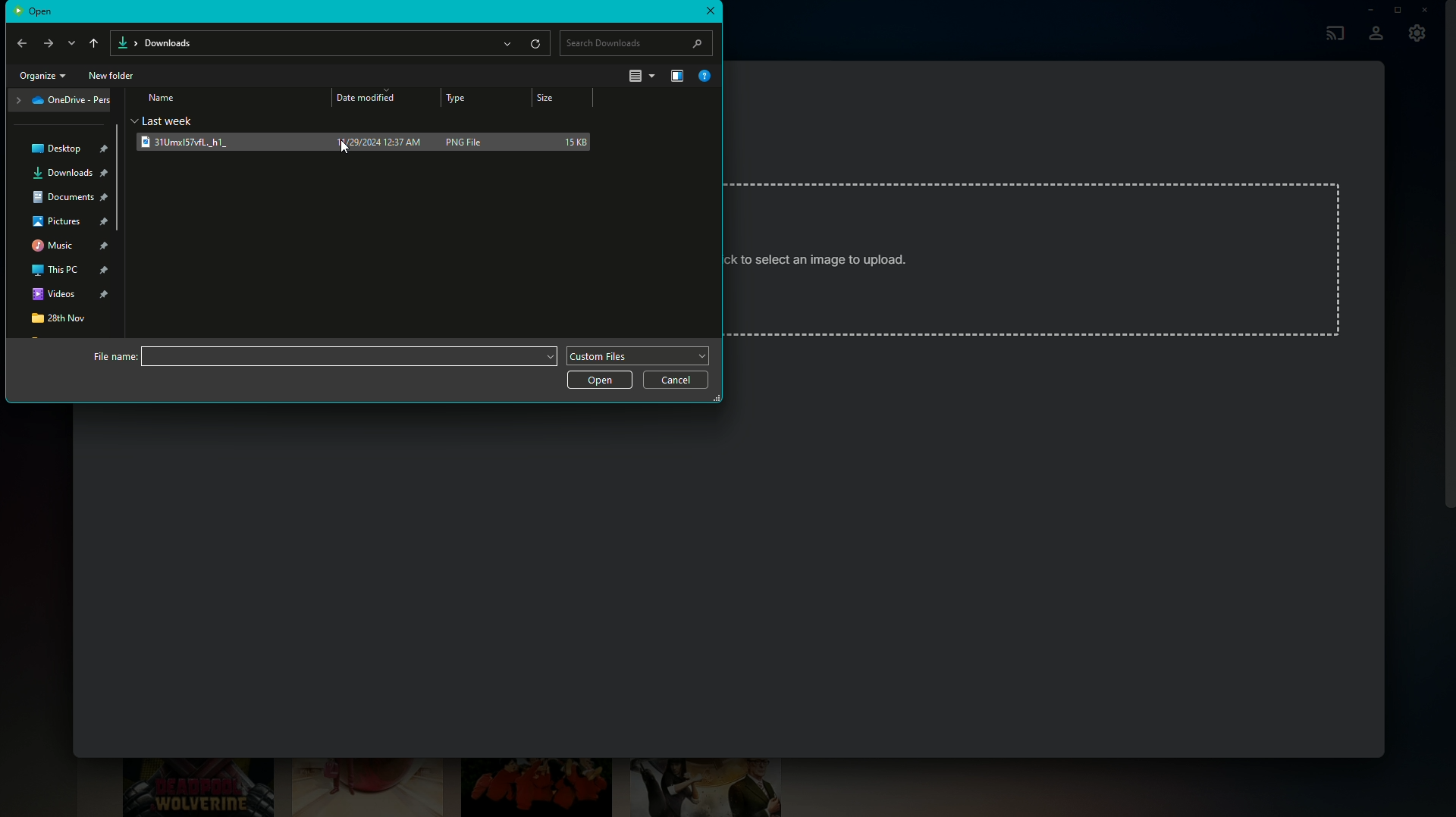 The height and width of the screenshot is (817, 1456). Describe the element at coordinates (1427, 10) in the screenshot. I see `Close` at that location.